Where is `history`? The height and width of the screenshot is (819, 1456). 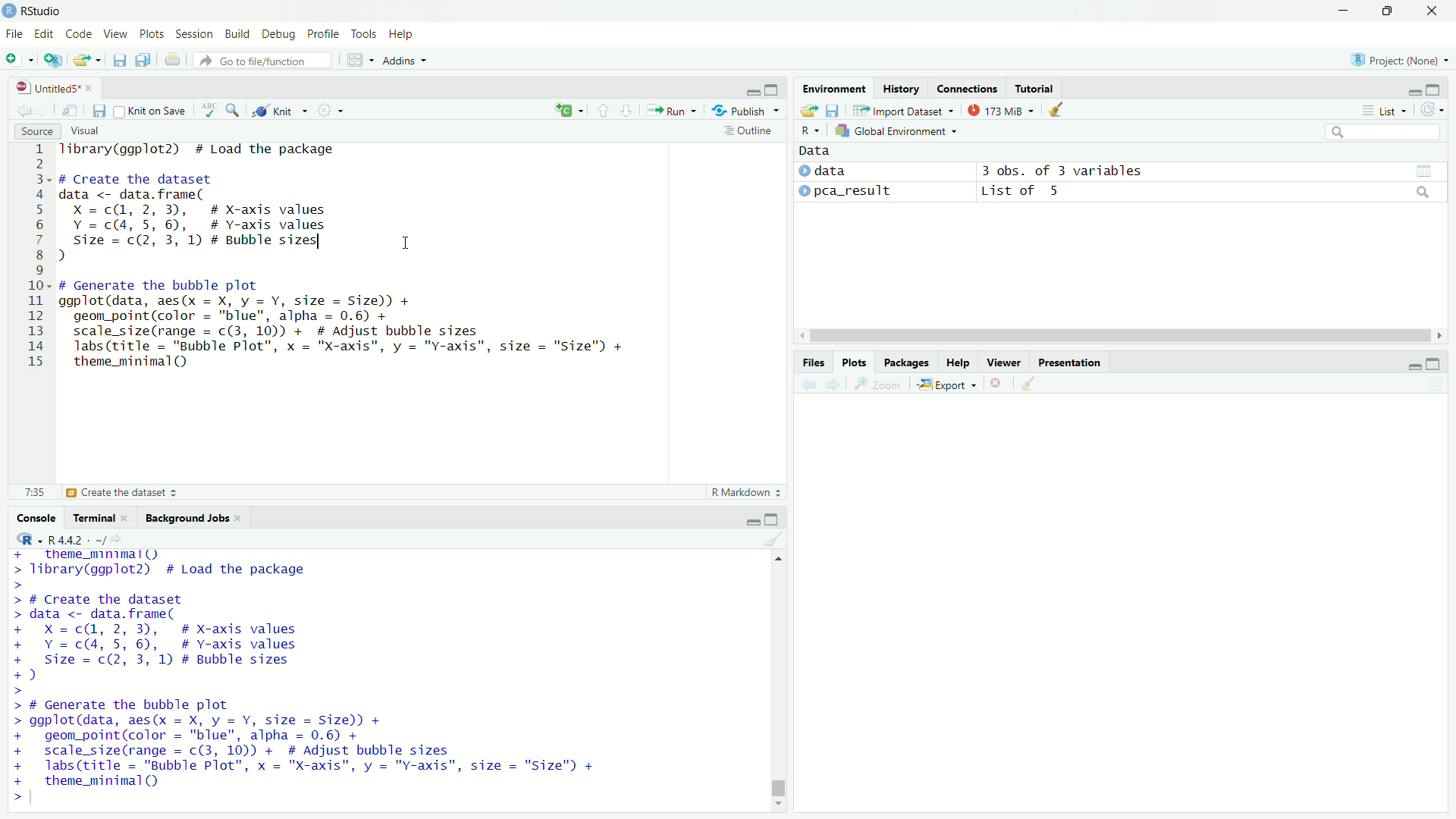 history is located at coordinates (901, 88).